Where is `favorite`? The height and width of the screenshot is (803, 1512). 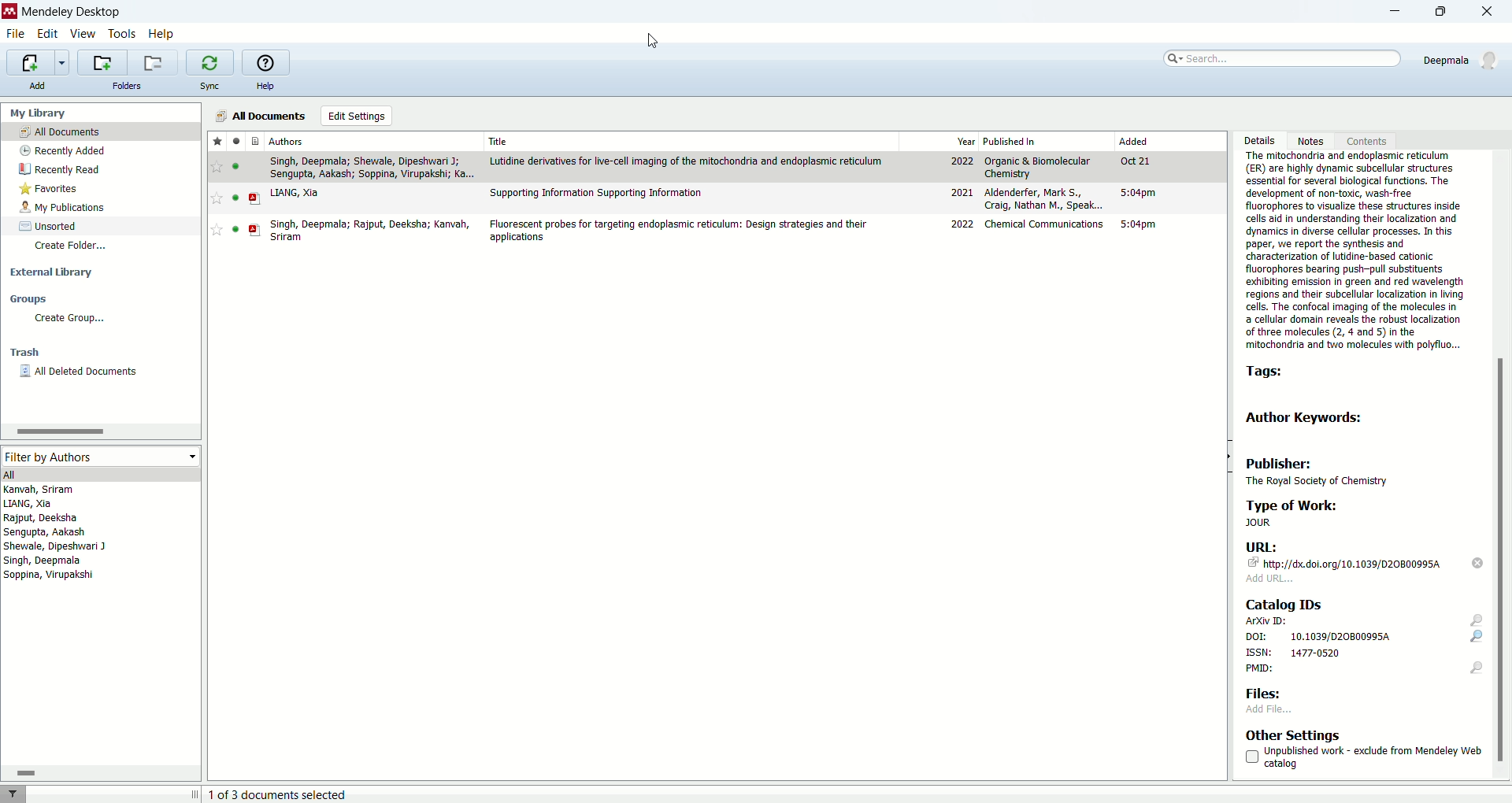 favorite is located at coordinates (217, 229).